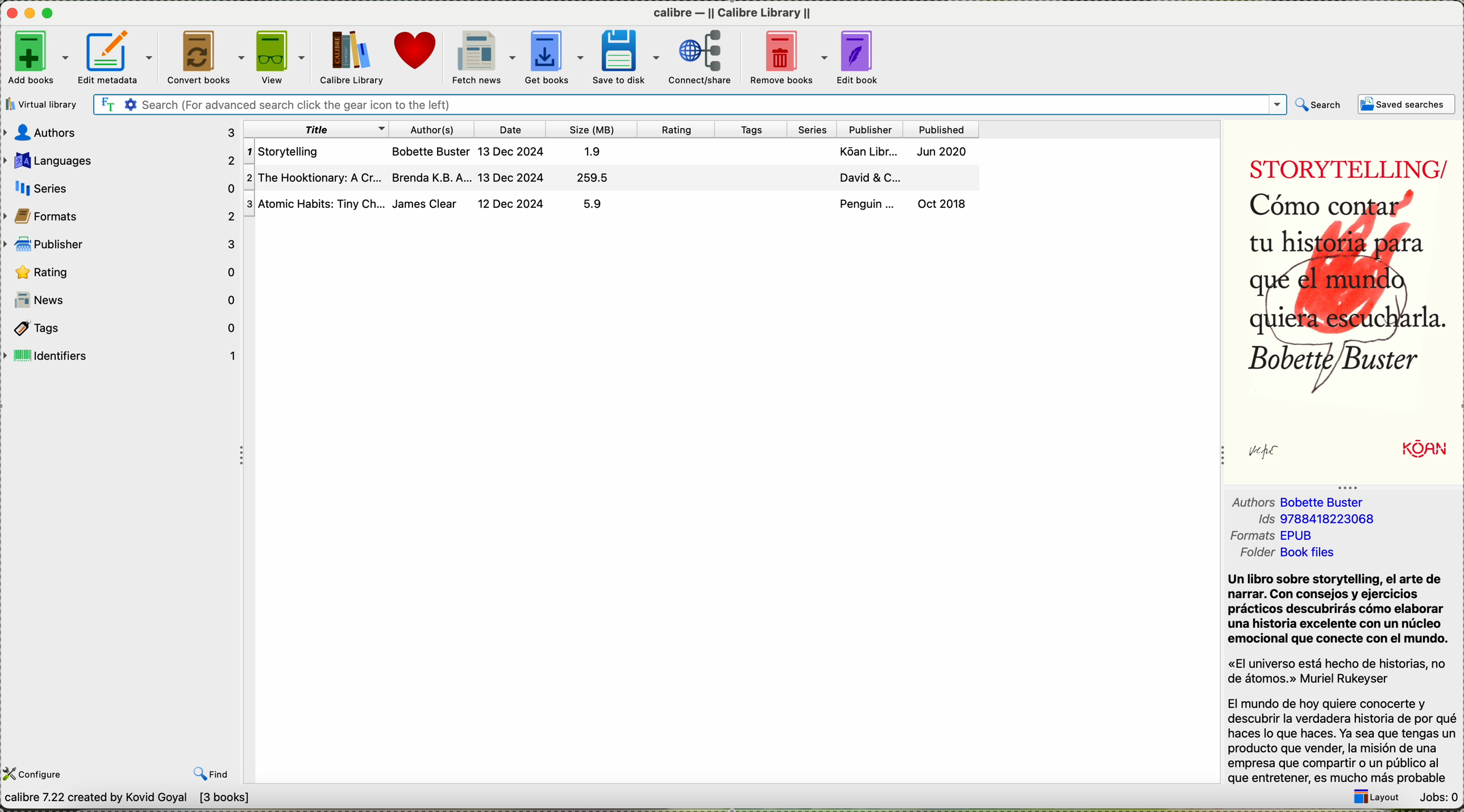  I want to click on Koan Libr, so click(865, 151).